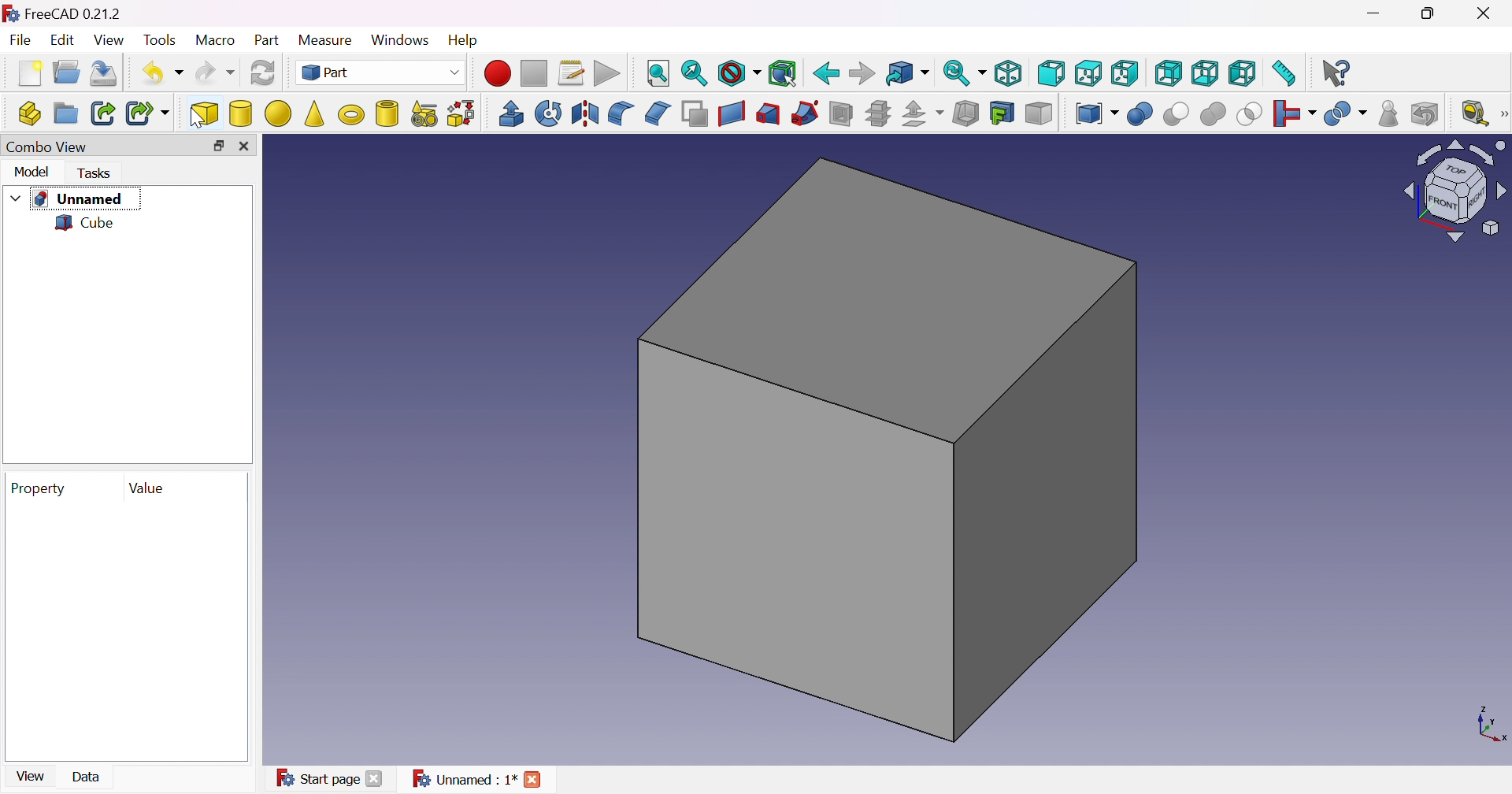 The height and width of the screenshot is (794, 1512). What do you see at coordinates (35, 488) in the screenshot?
I see `Property` at bounding box center [35, 488].